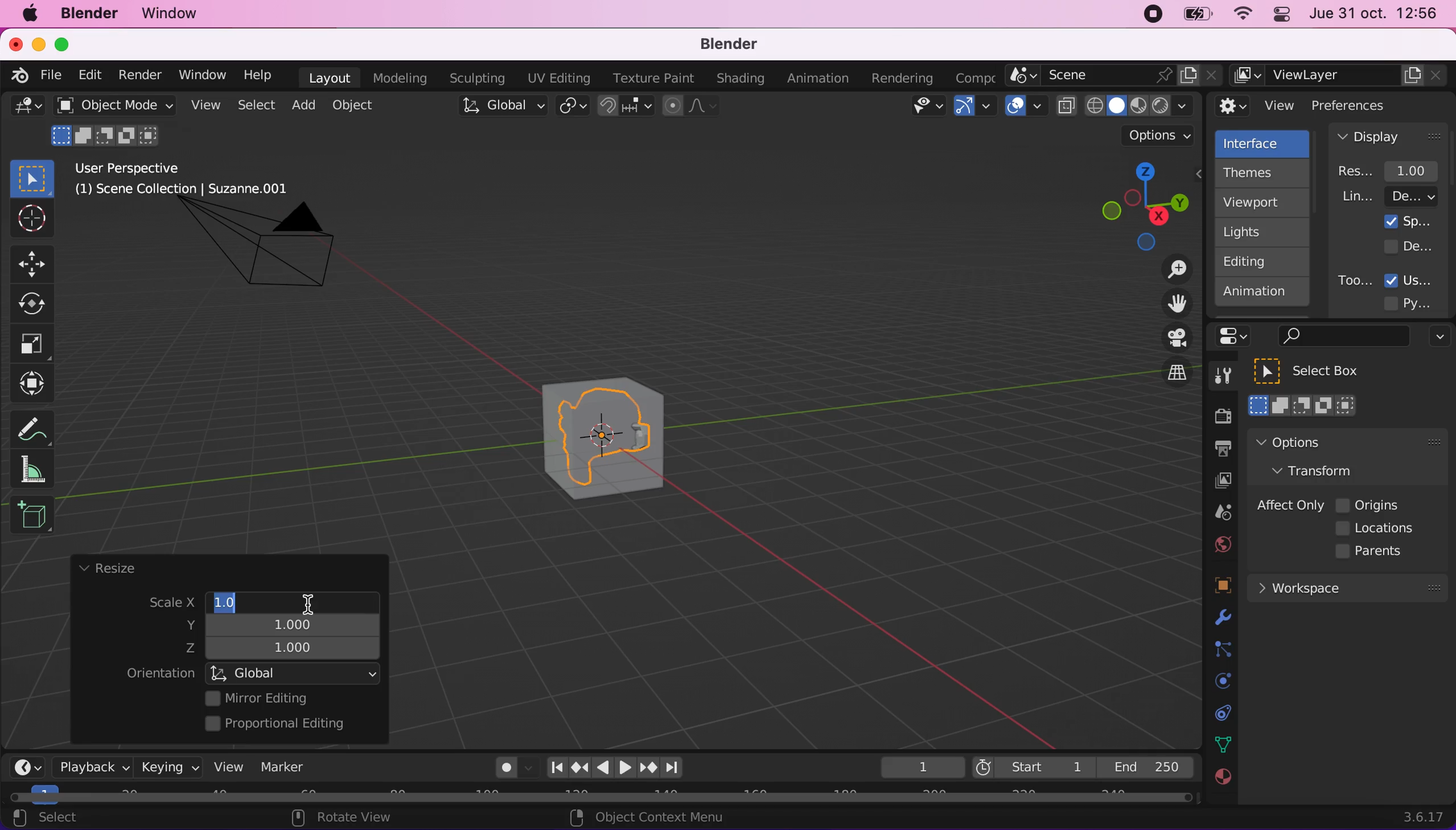 This screenshot has height=830, width=1456. What do you see at coordinates (1321, 371) in the screenshot?
I see `select box` at bounding box center [1321, 371].